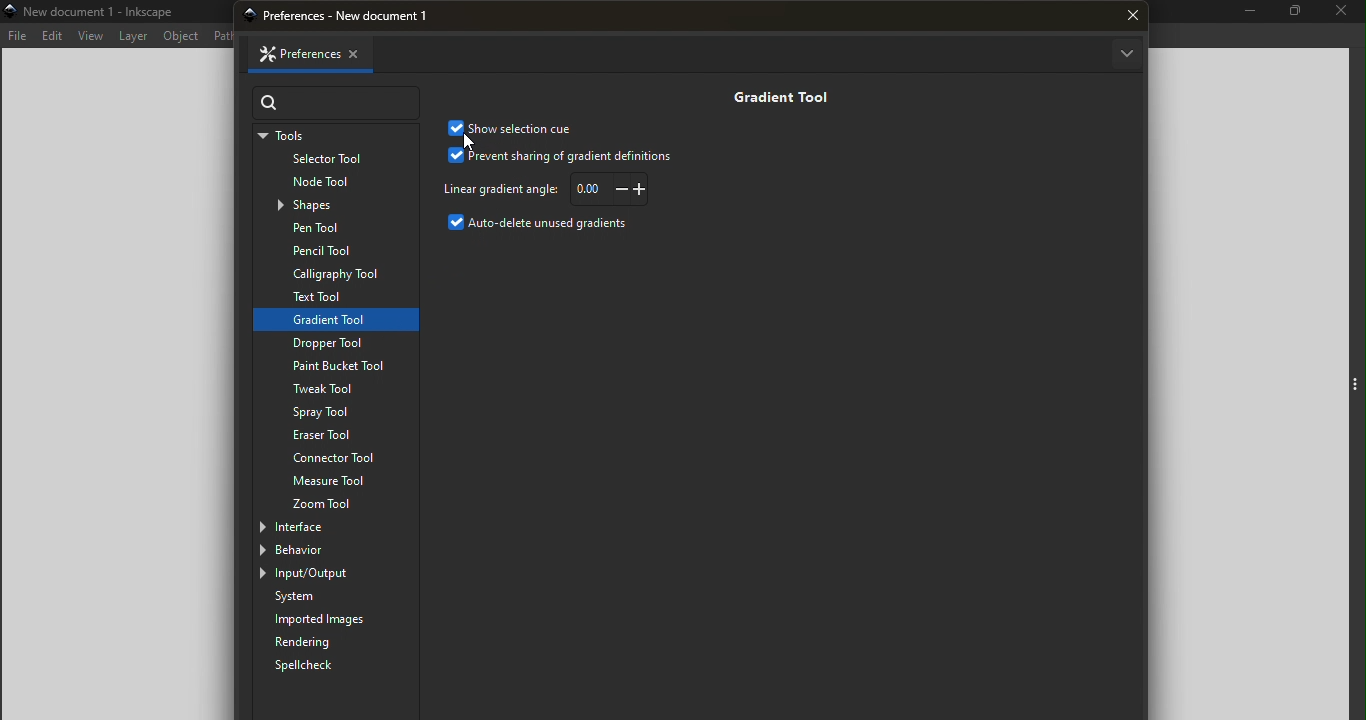 Image resolution: width=1366 pixels, height=720 pixels. What do you see at coordinates (333, 251) in the screenshot?
I see `Pencil tool` at bounding box center [333, 251].